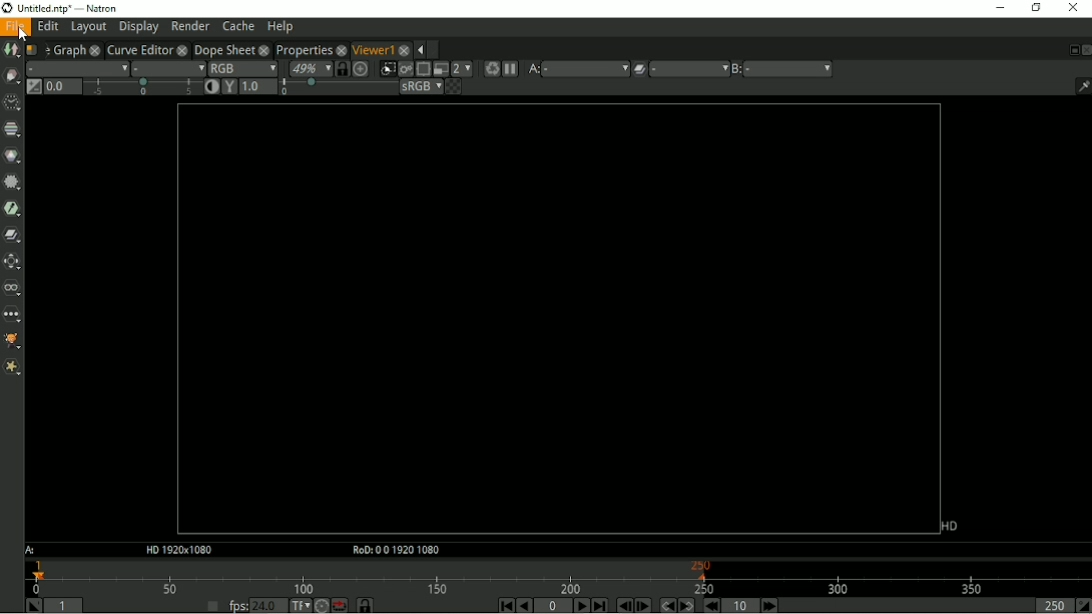  I want to click on Close, so click(1072, 8).